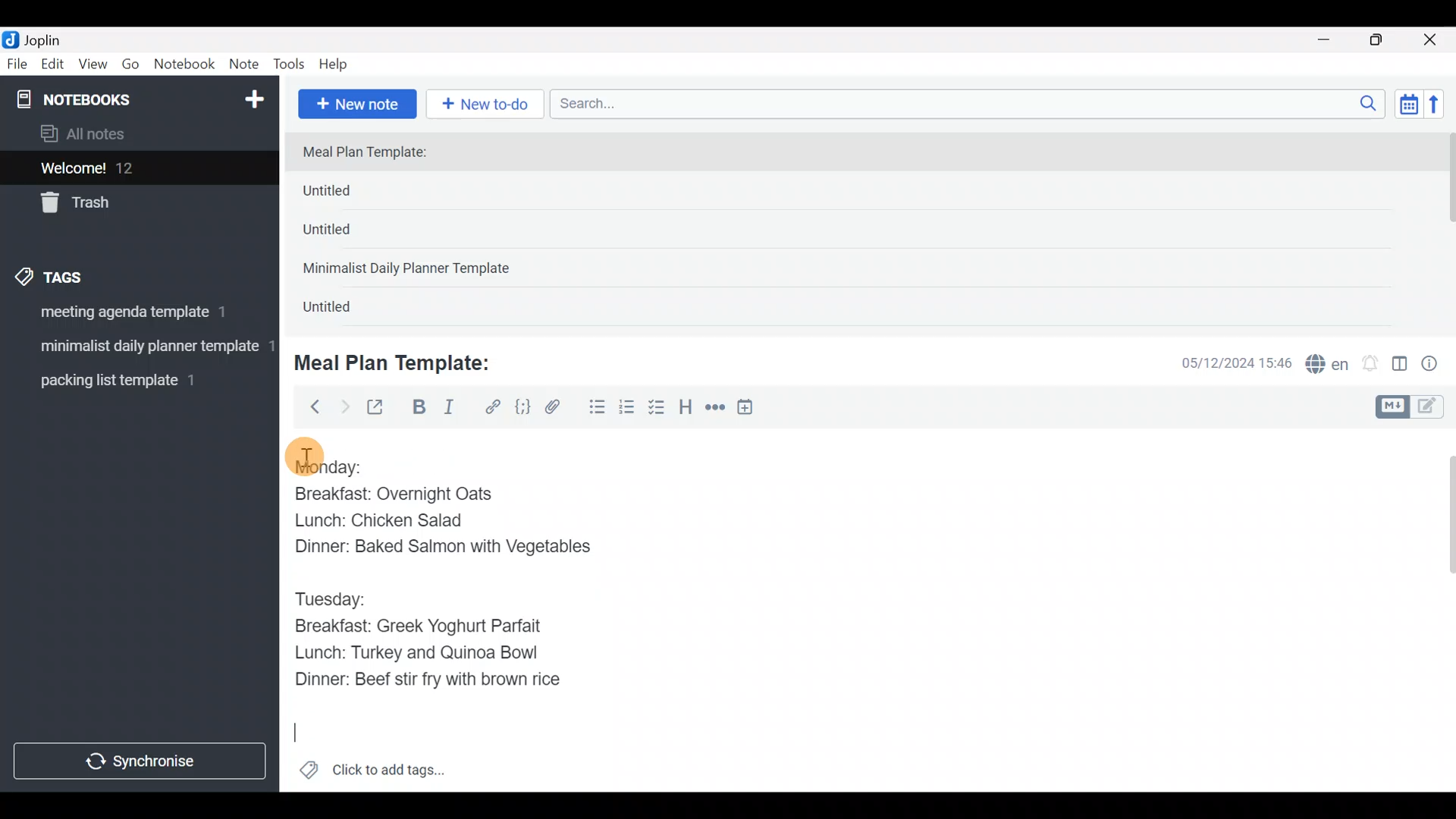 The width and height of the screenshot is (1456, 819). I want to click on Trash, so click(130, 204).